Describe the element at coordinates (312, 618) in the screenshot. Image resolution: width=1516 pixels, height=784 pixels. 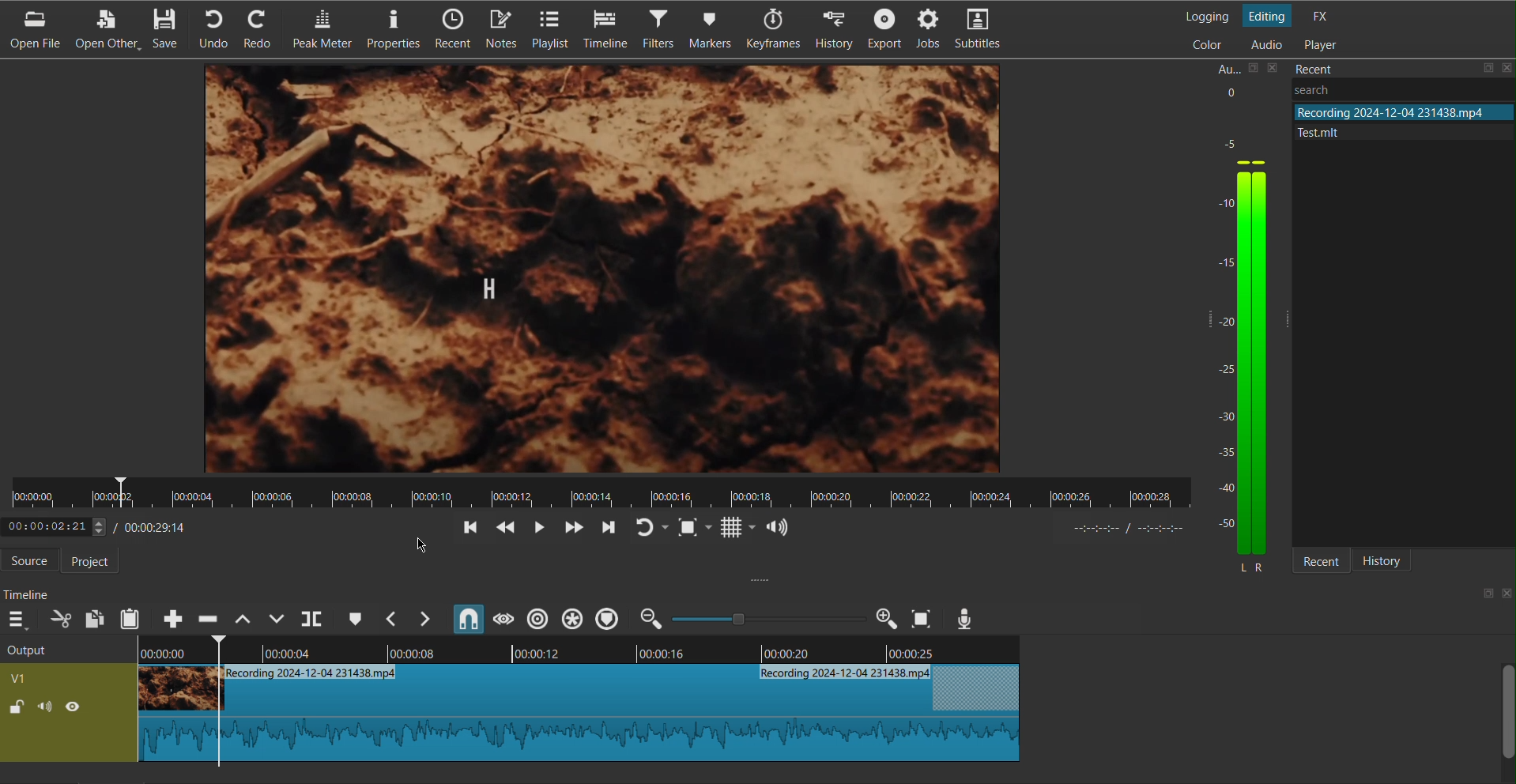
I see `Split at Playhead` at that location.